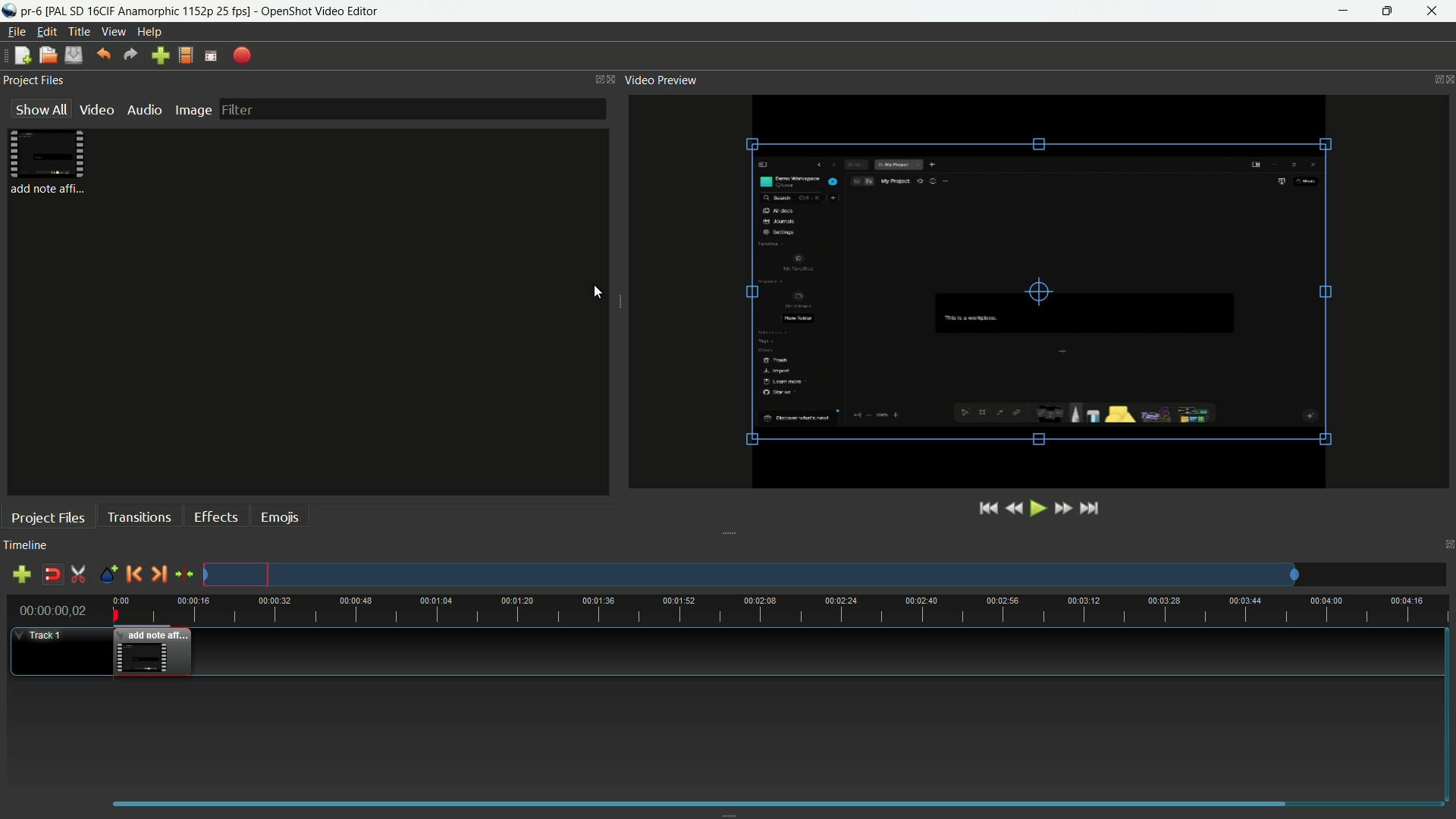  Describe the element at coordinates (104, 55) in the screenshot. I see `undo` at that location.